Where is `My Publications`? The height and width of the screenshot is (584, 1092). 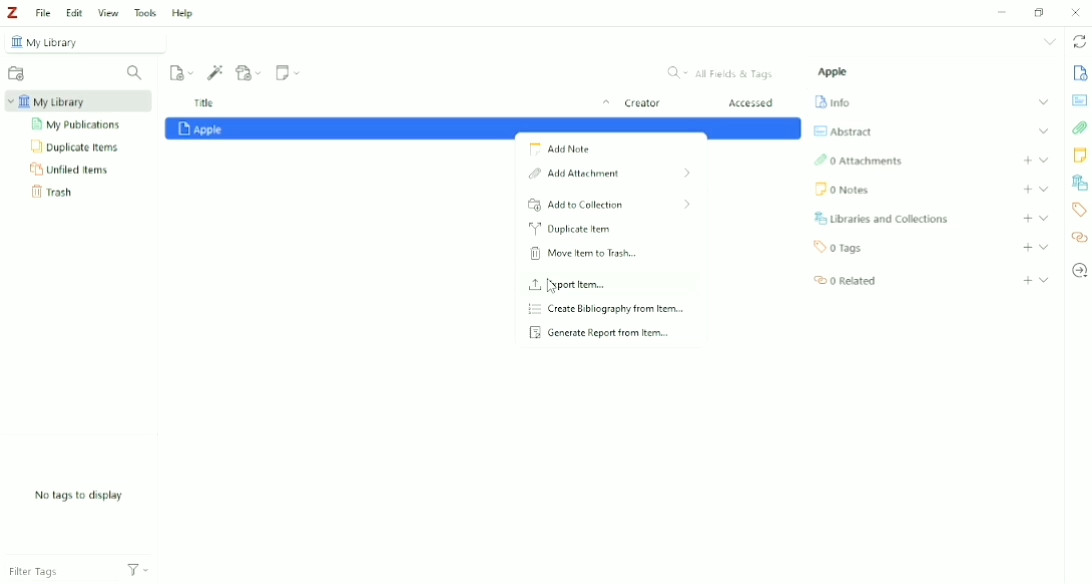 My Publications is located at coordinates (79, 125).